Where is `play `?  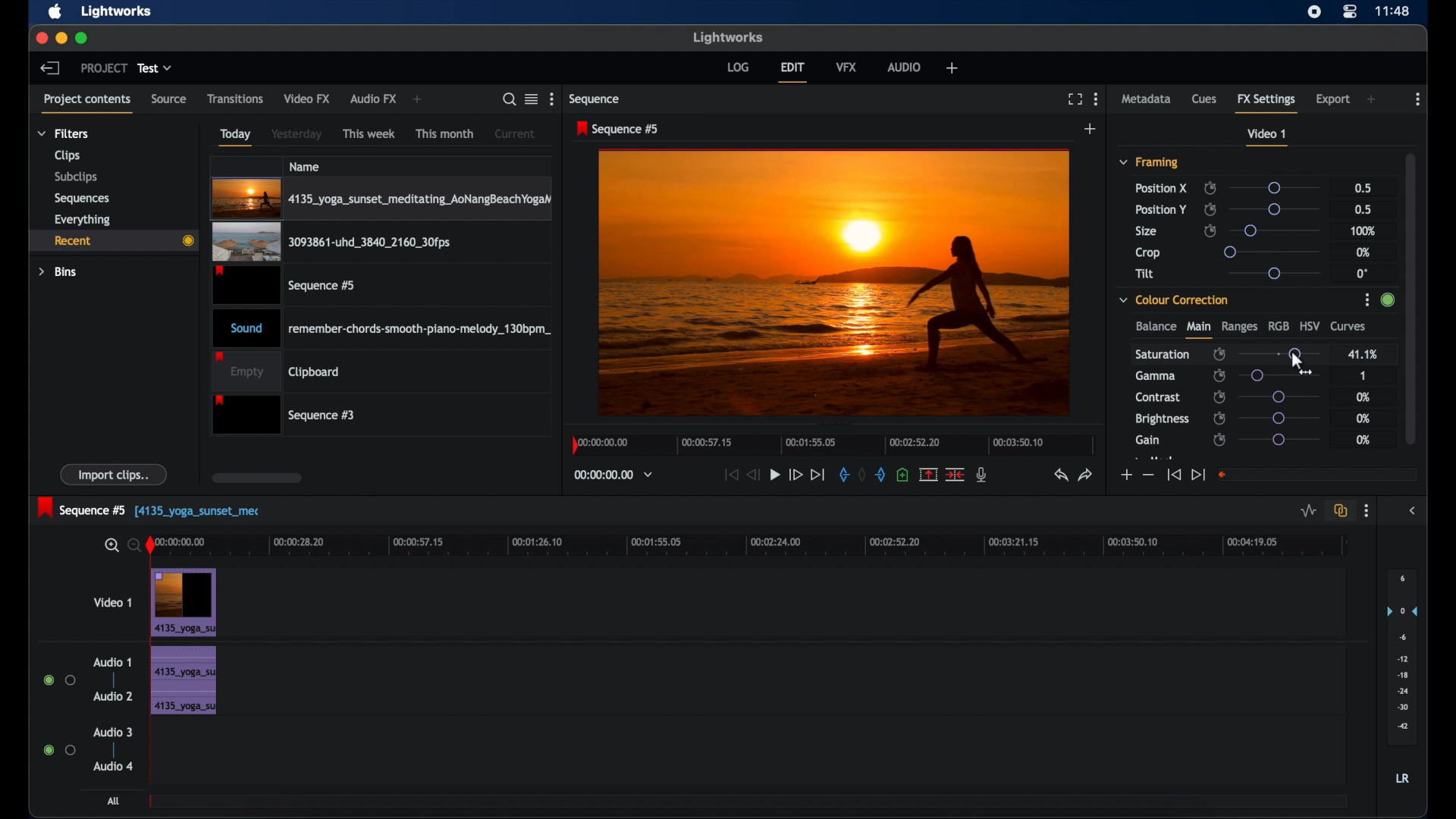
play  is located at coordinates (775, 475).